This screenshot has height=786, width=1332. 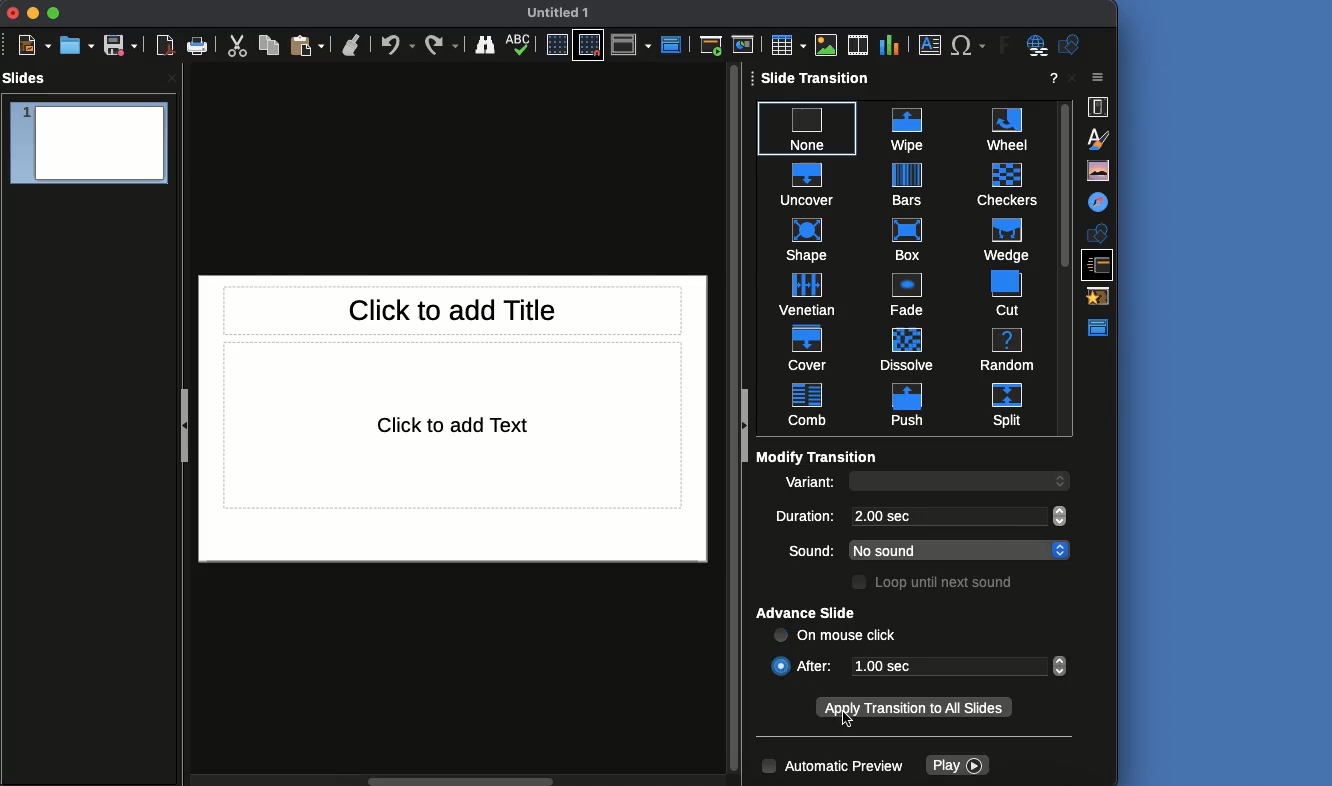 I want to click on uncover, so click(x=806, y=181).